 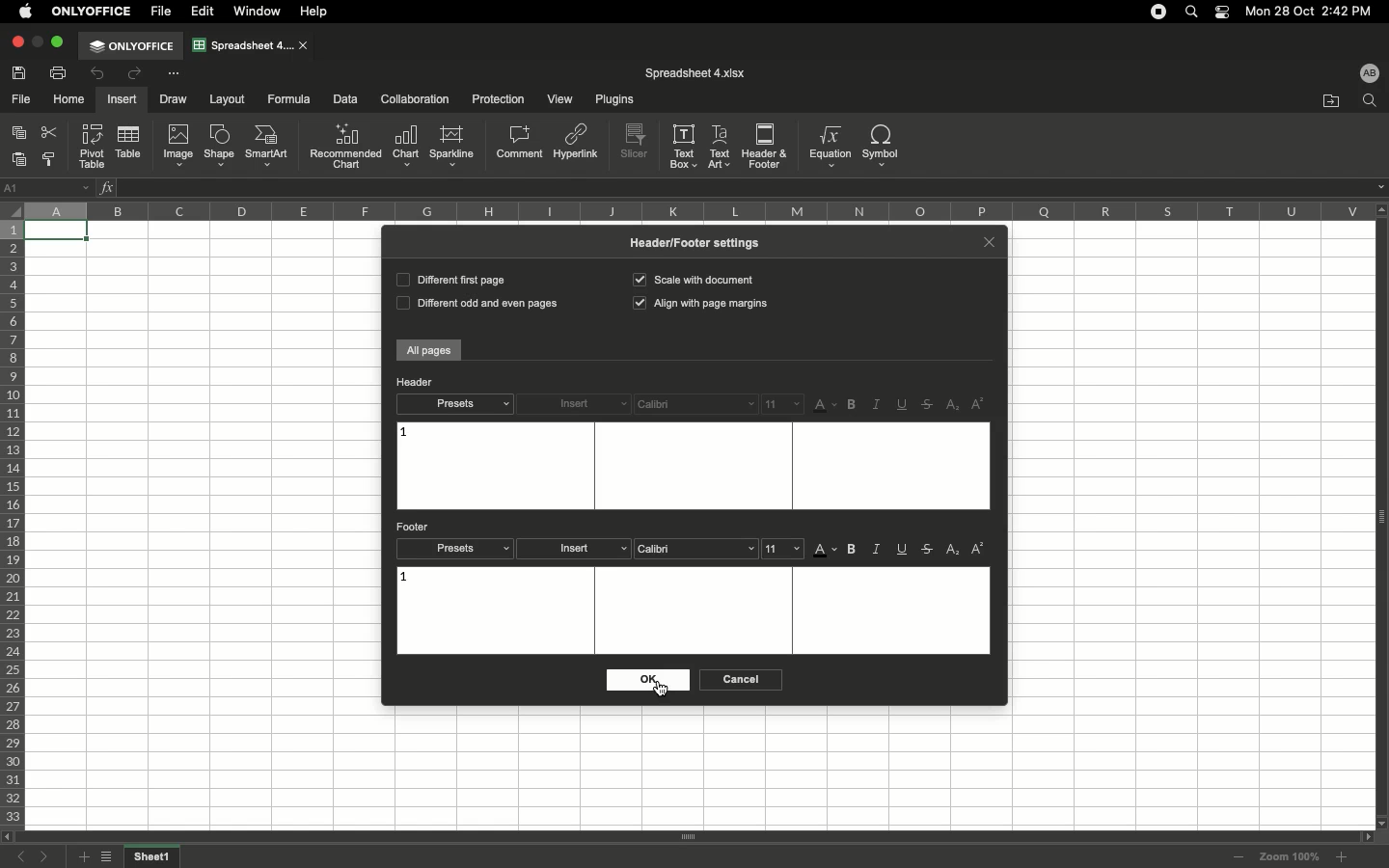 I want to click on Comment, so click(x=521, y=144).